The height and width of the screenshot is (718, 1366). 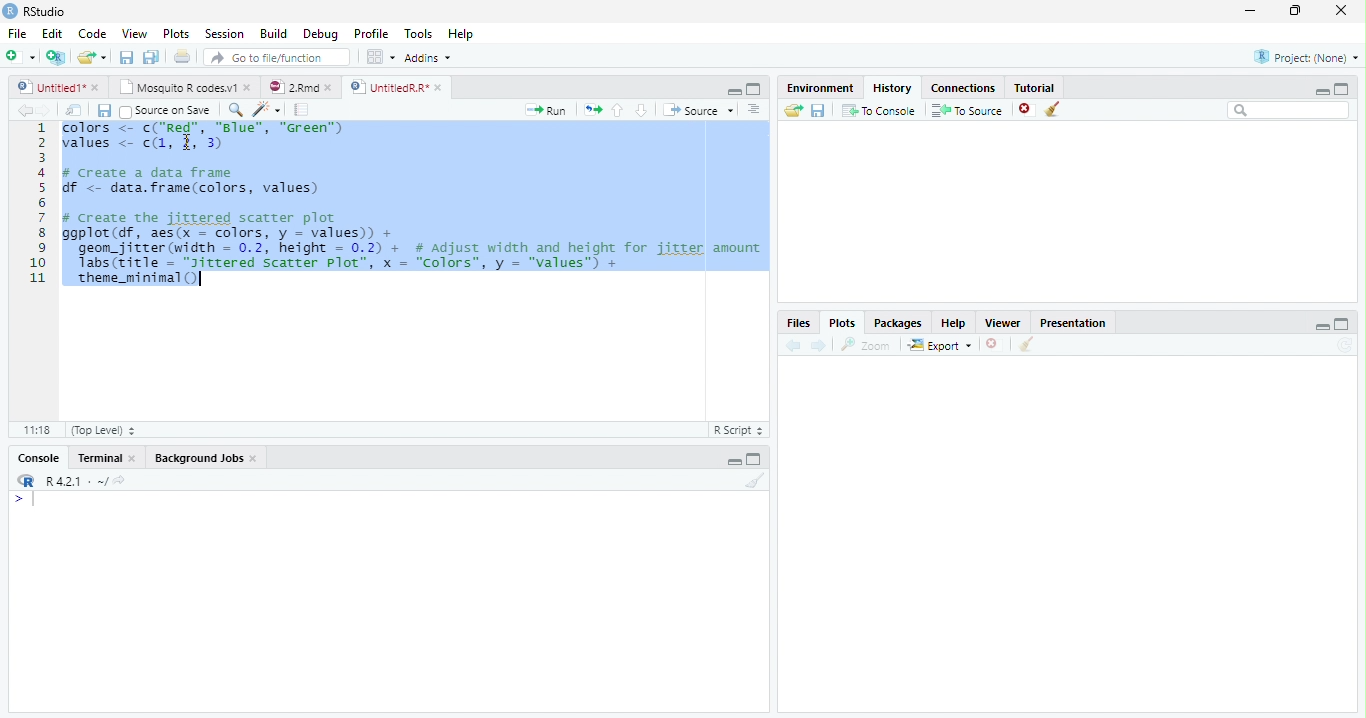 I want to click on Search bar, so click(x=1290, y=110).